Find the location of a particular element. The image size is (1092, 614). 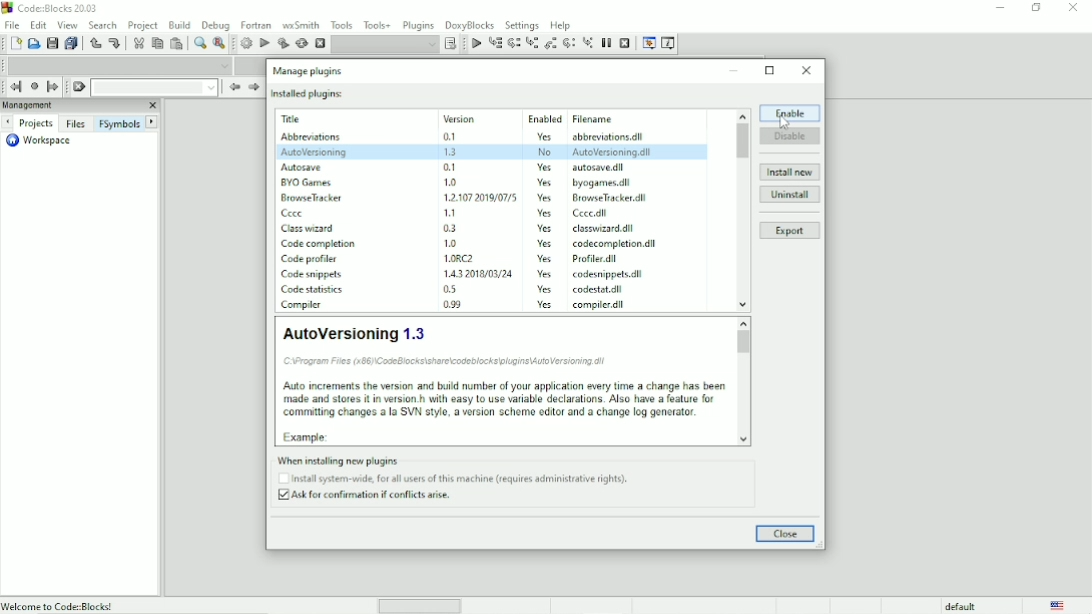

Jump forward is located at coordinates (53, 88).